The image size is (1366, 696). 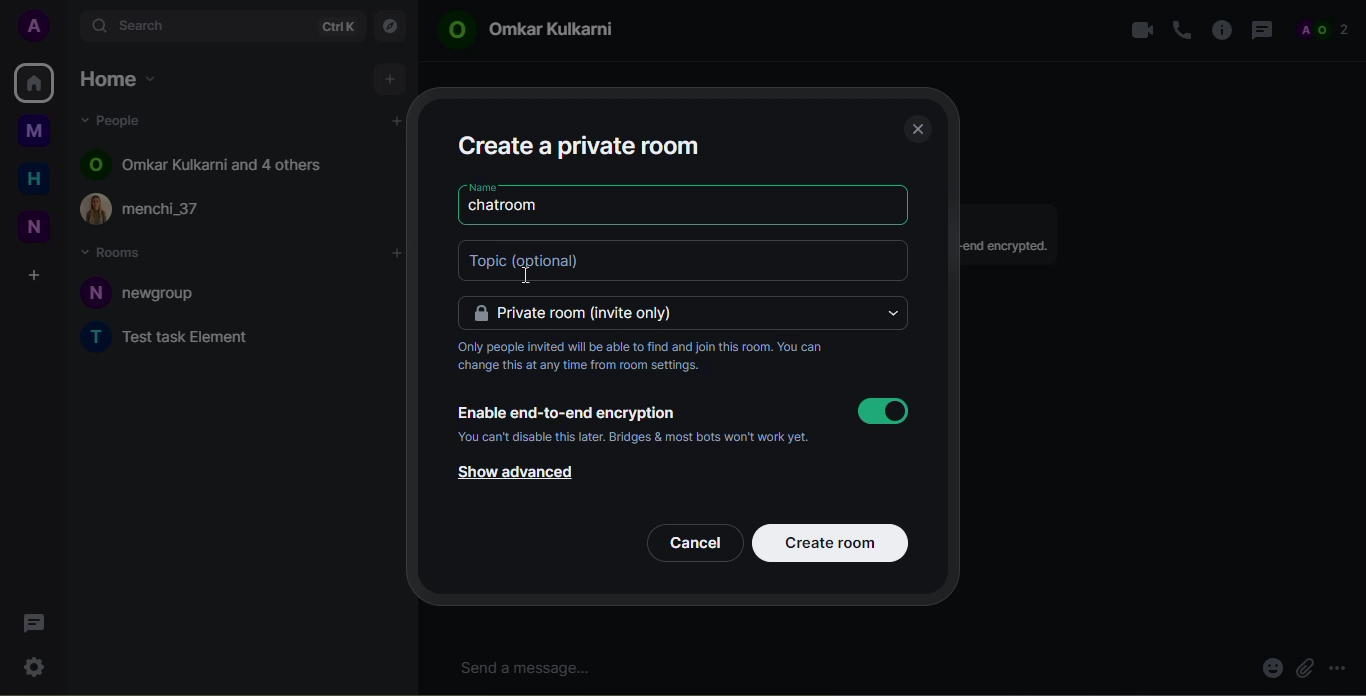 What do you see at coordinates (694, 541) in the screenshot?
I see `cancel` at bounding box center [694, 541].